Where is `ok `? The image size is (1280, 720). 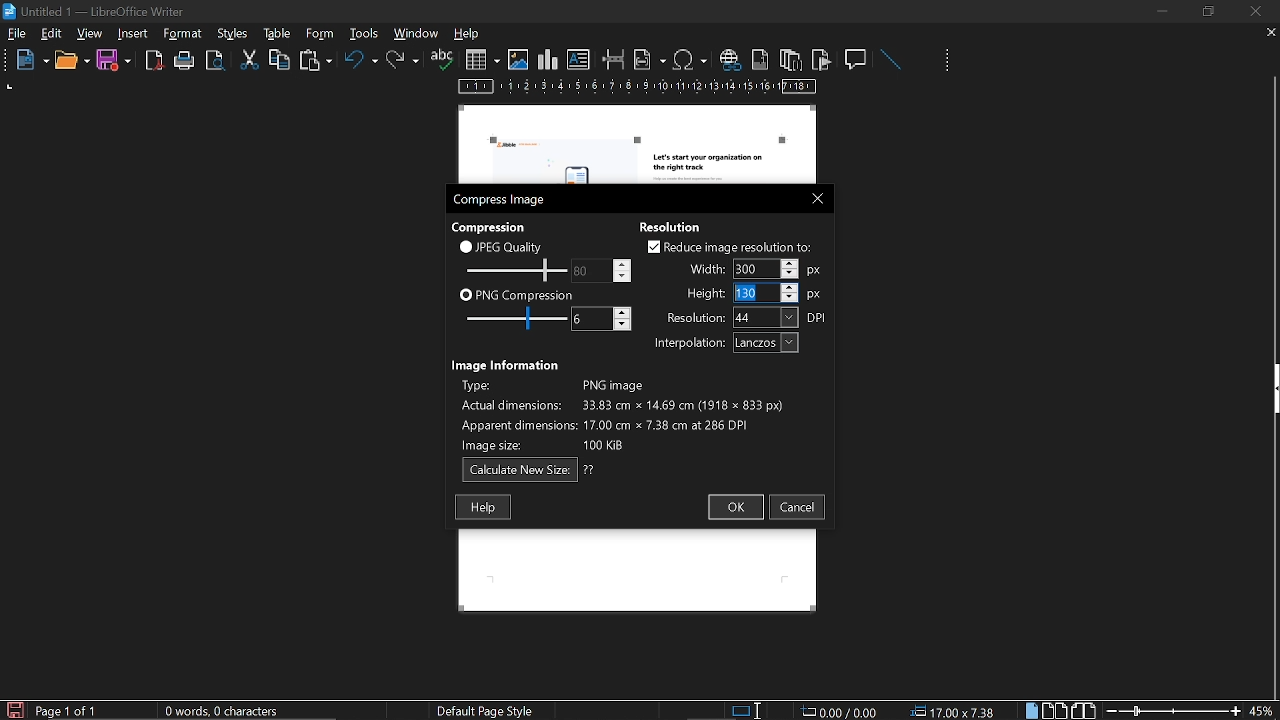 ok  is located at coordinates (734, 508).